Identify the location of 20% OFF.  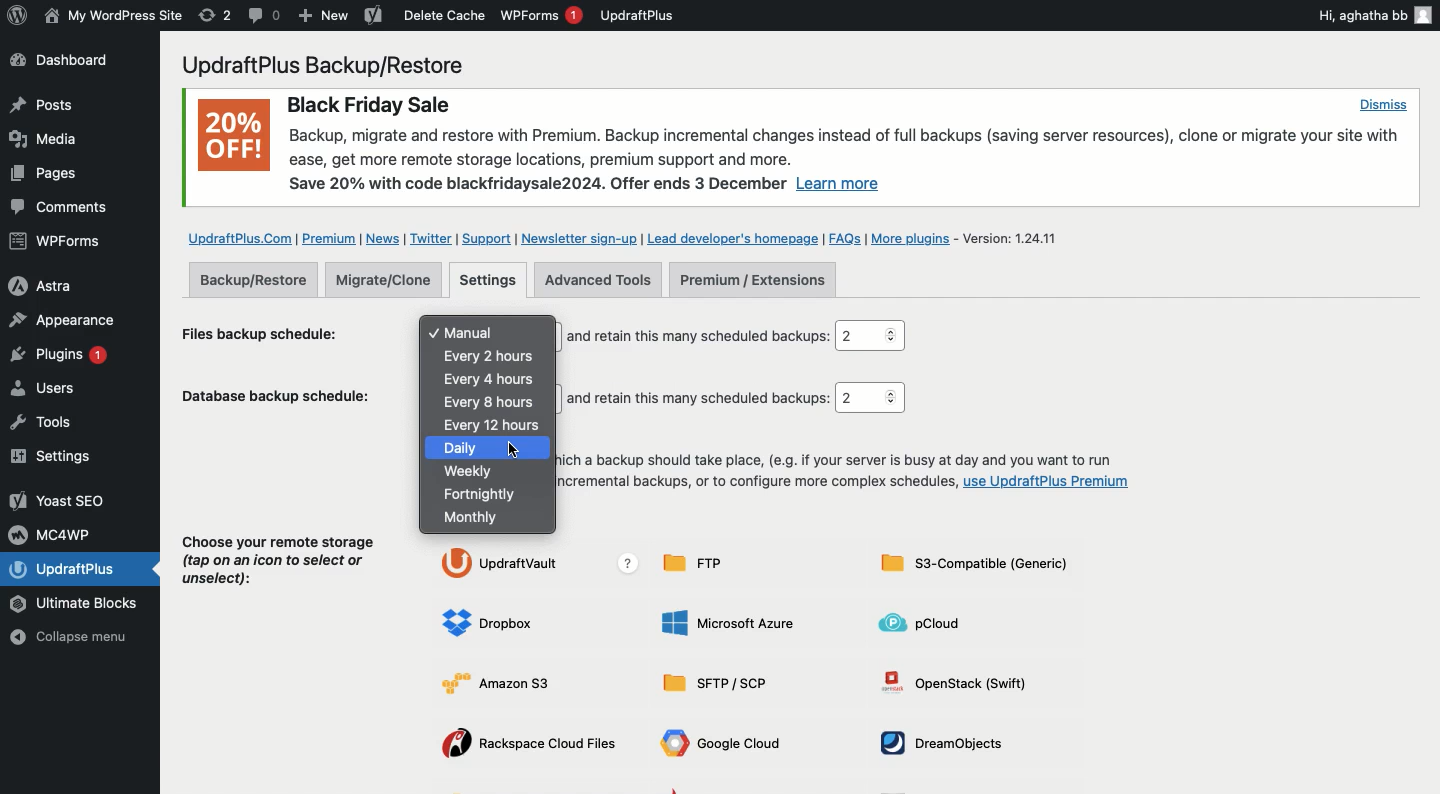
(233, 139).